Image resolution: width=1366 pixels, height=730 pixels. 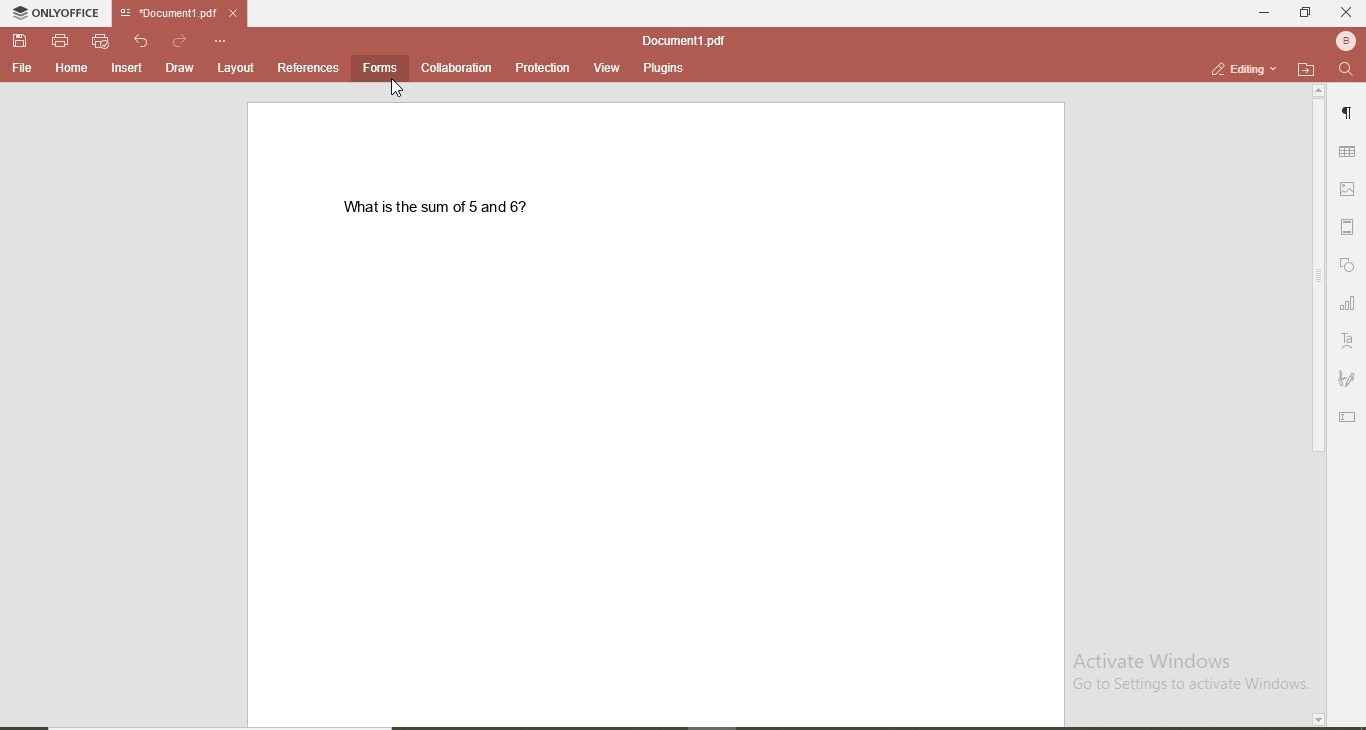 What do you see at coordinates (1350, 338) in the screenshot?
I see `text` at bounding box center [1350, 338].